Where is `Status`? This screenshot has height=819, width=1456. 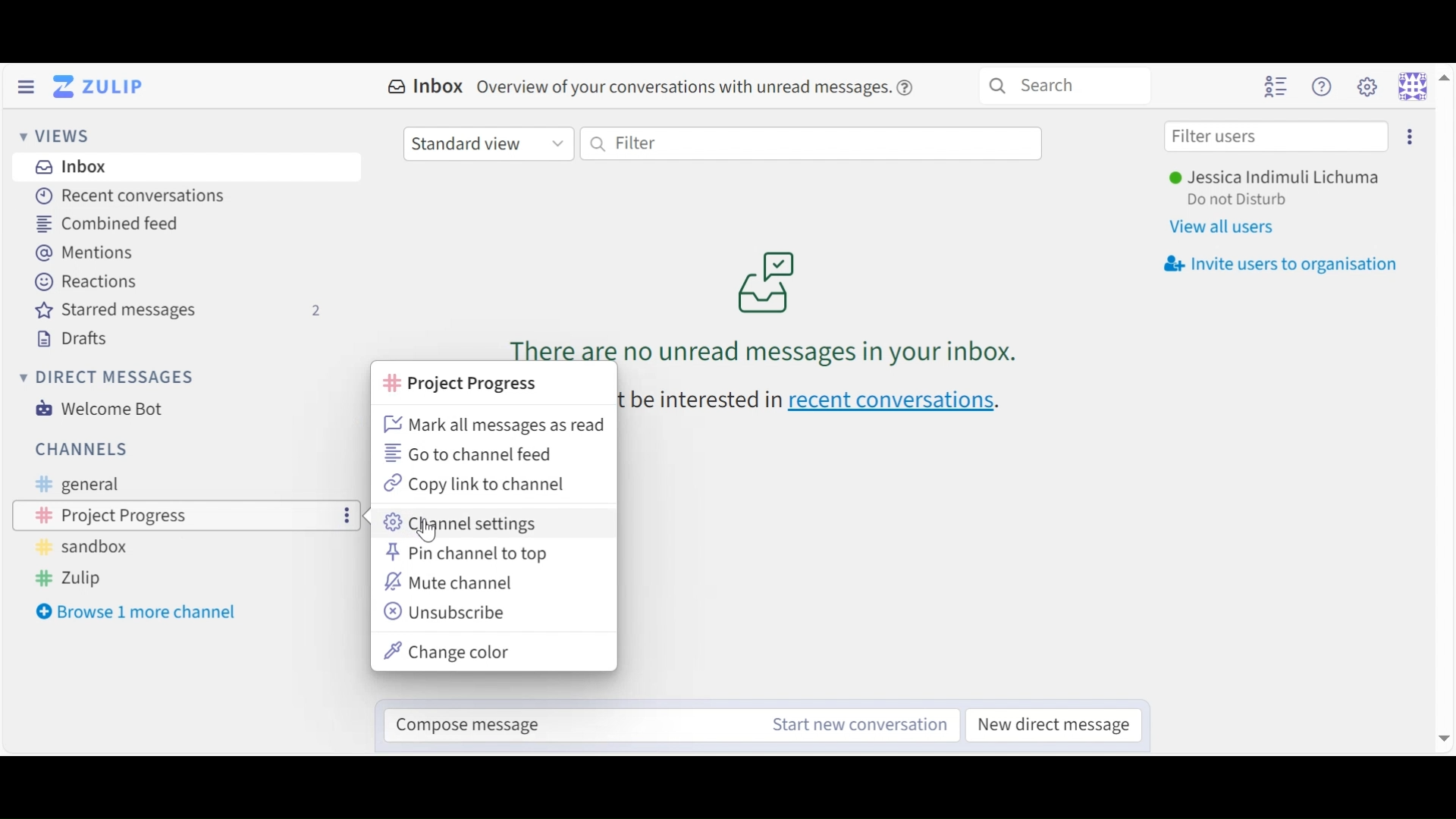 Status is located at coordinates (1238, 202).